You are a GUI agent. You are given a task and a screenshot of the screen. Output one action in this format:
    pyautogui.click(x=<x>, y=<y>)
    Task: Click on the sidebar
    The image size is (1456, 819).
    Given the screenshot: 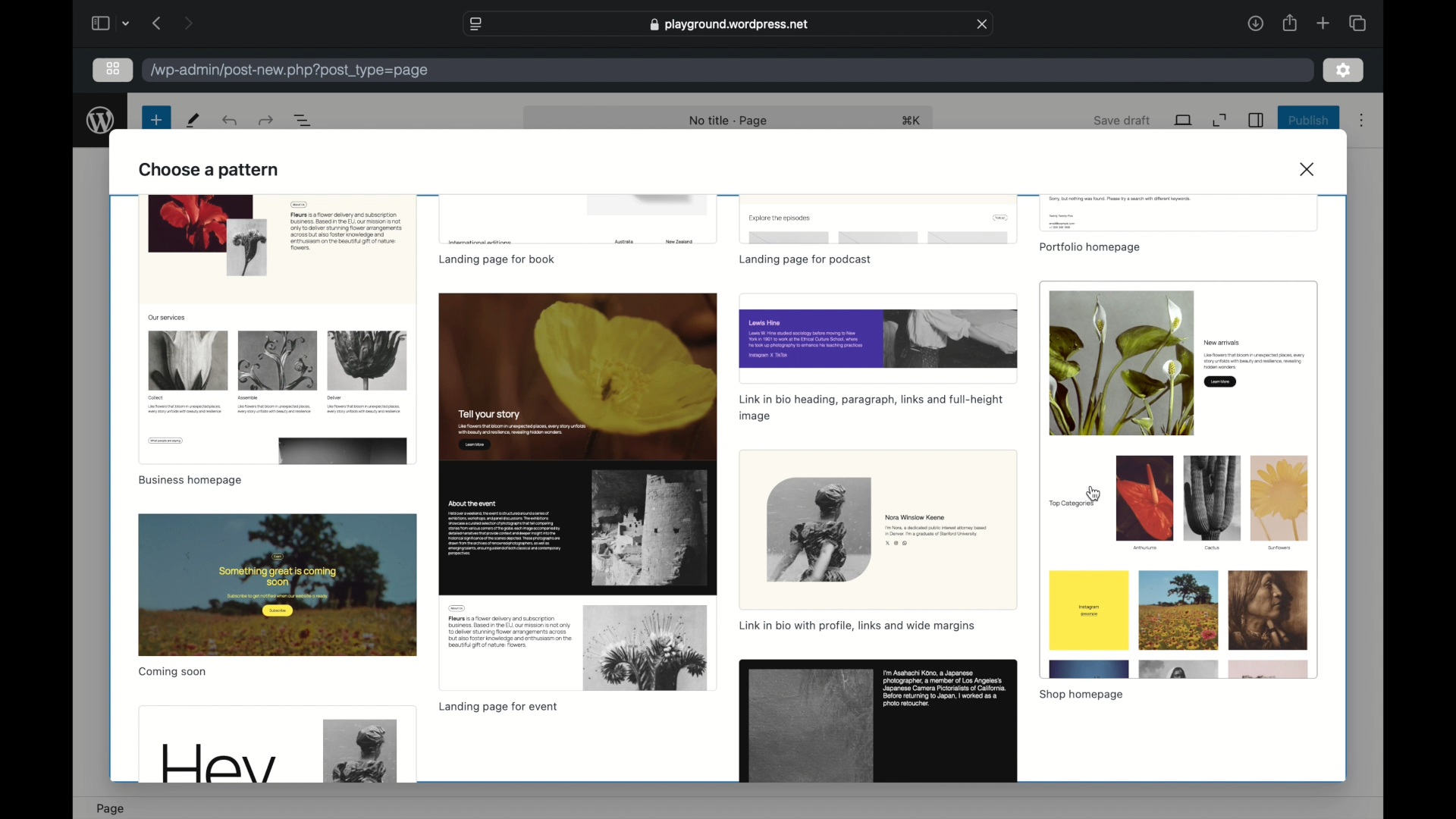 What is the action you would take?
    pyautogui.click(x=1257, y=120)
    